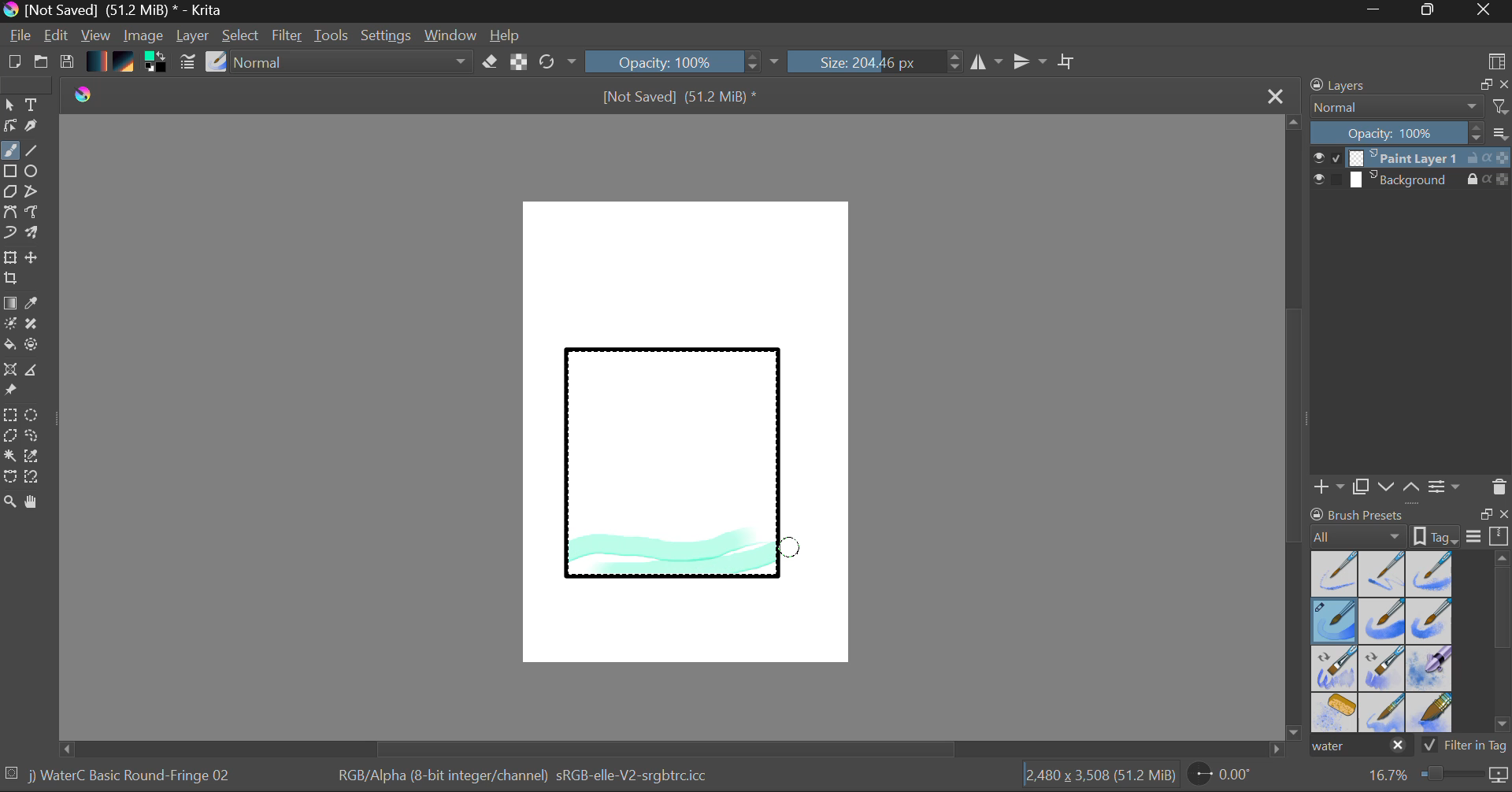 The height and width of the screenshot is (792, 1512). What do you see at coordinates (11, 172) in the screenshot?
I see `Rectangle` at bounding box center [11, 172].